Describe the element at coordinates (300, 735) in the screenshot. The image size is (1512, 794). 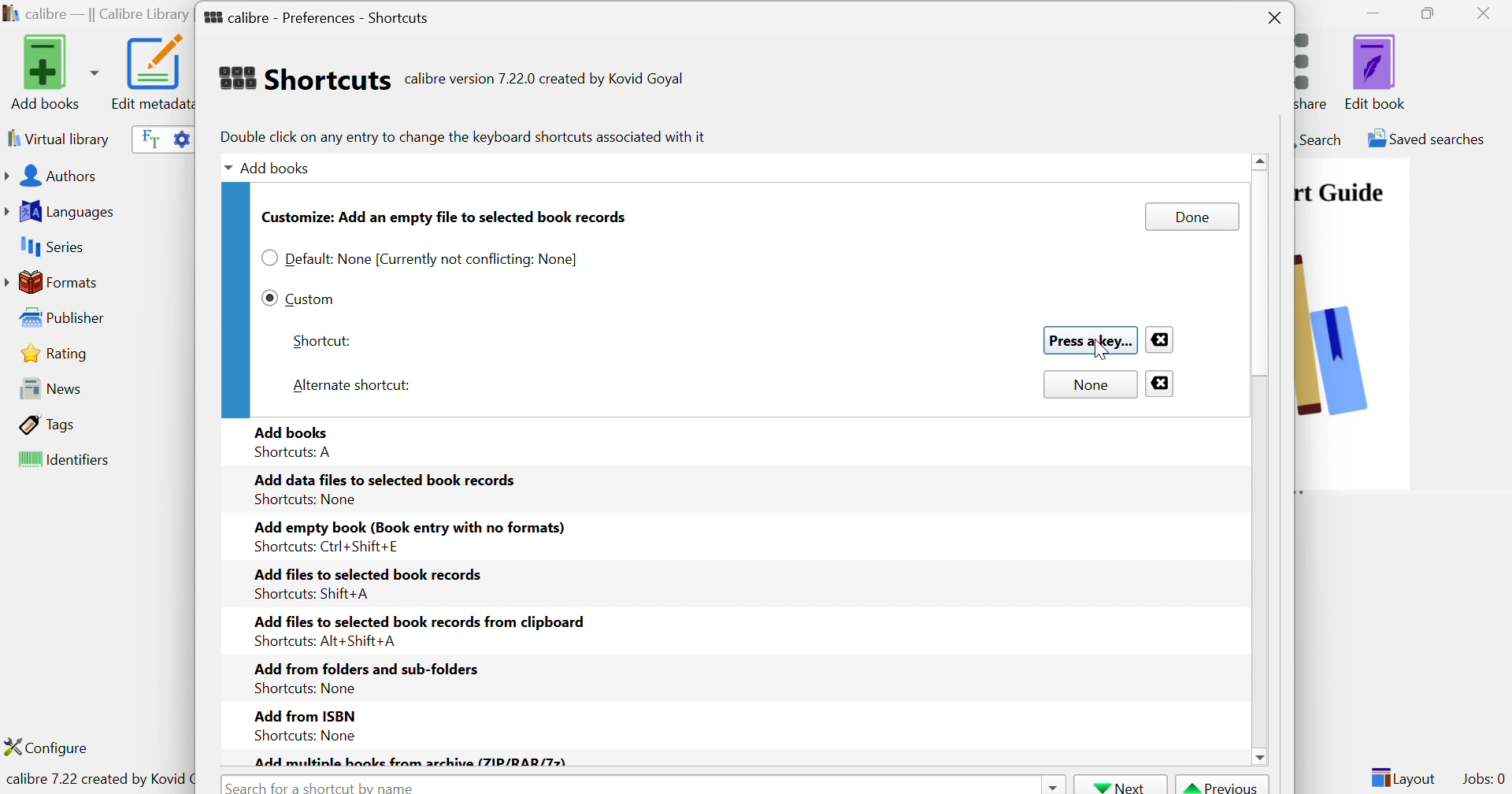
I see `Shortcuts: None` at that location.